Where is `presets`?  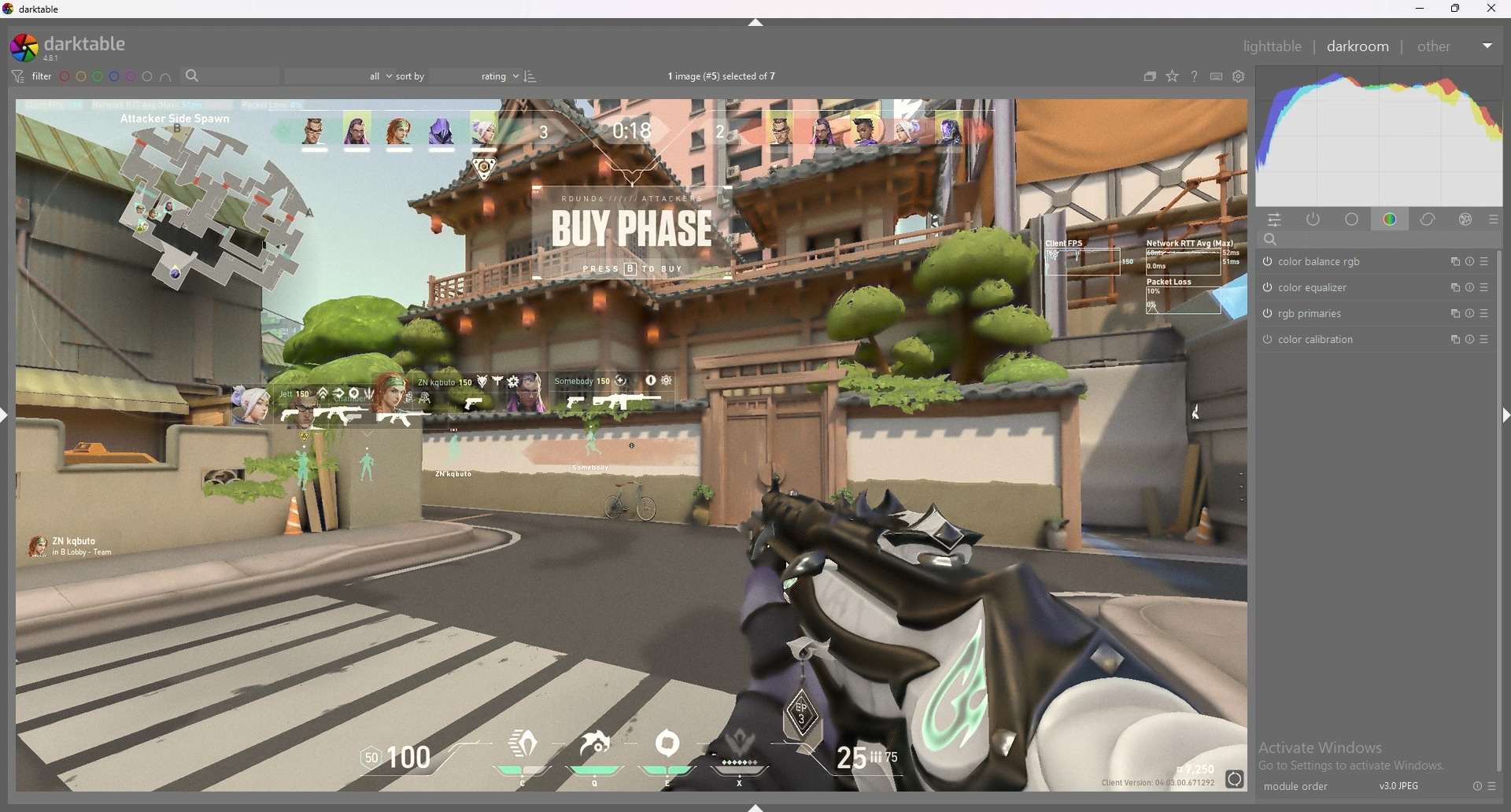
presets is located at coordinates (1483, 313).